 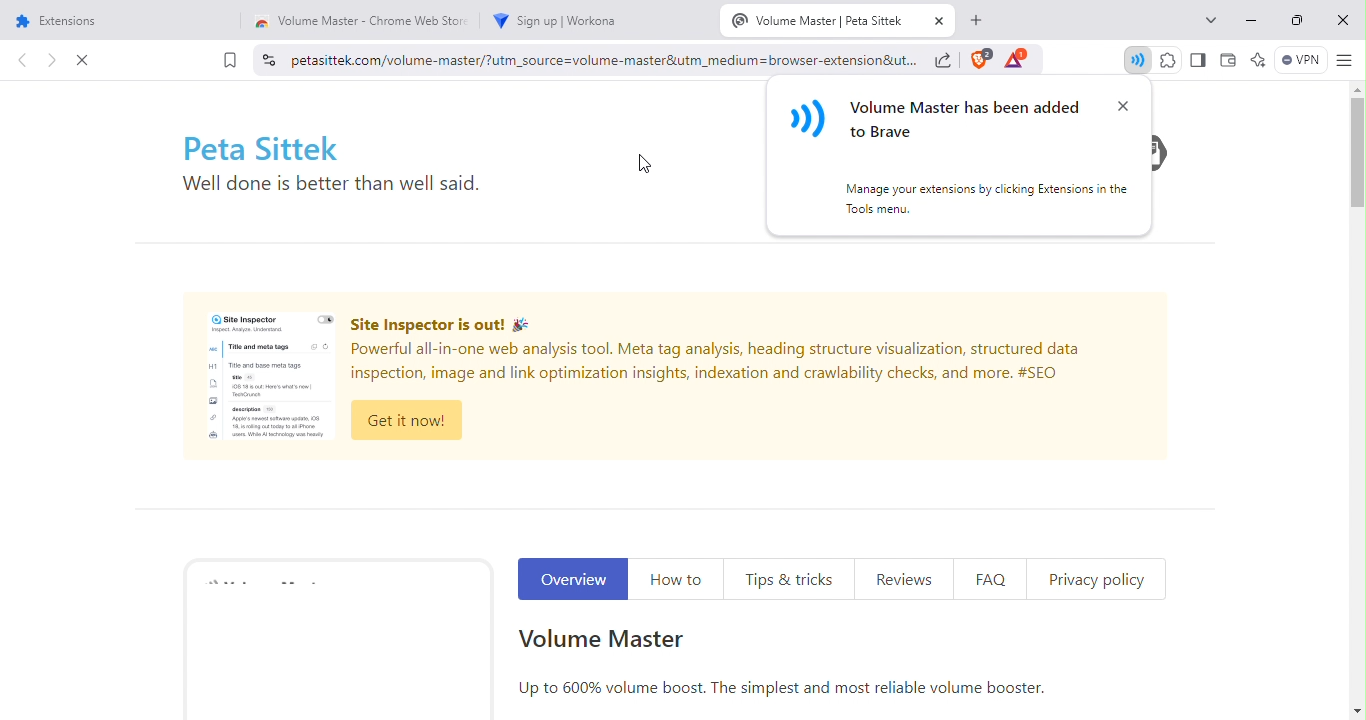 I want to click on wallet , so click(x=1226, y=60).